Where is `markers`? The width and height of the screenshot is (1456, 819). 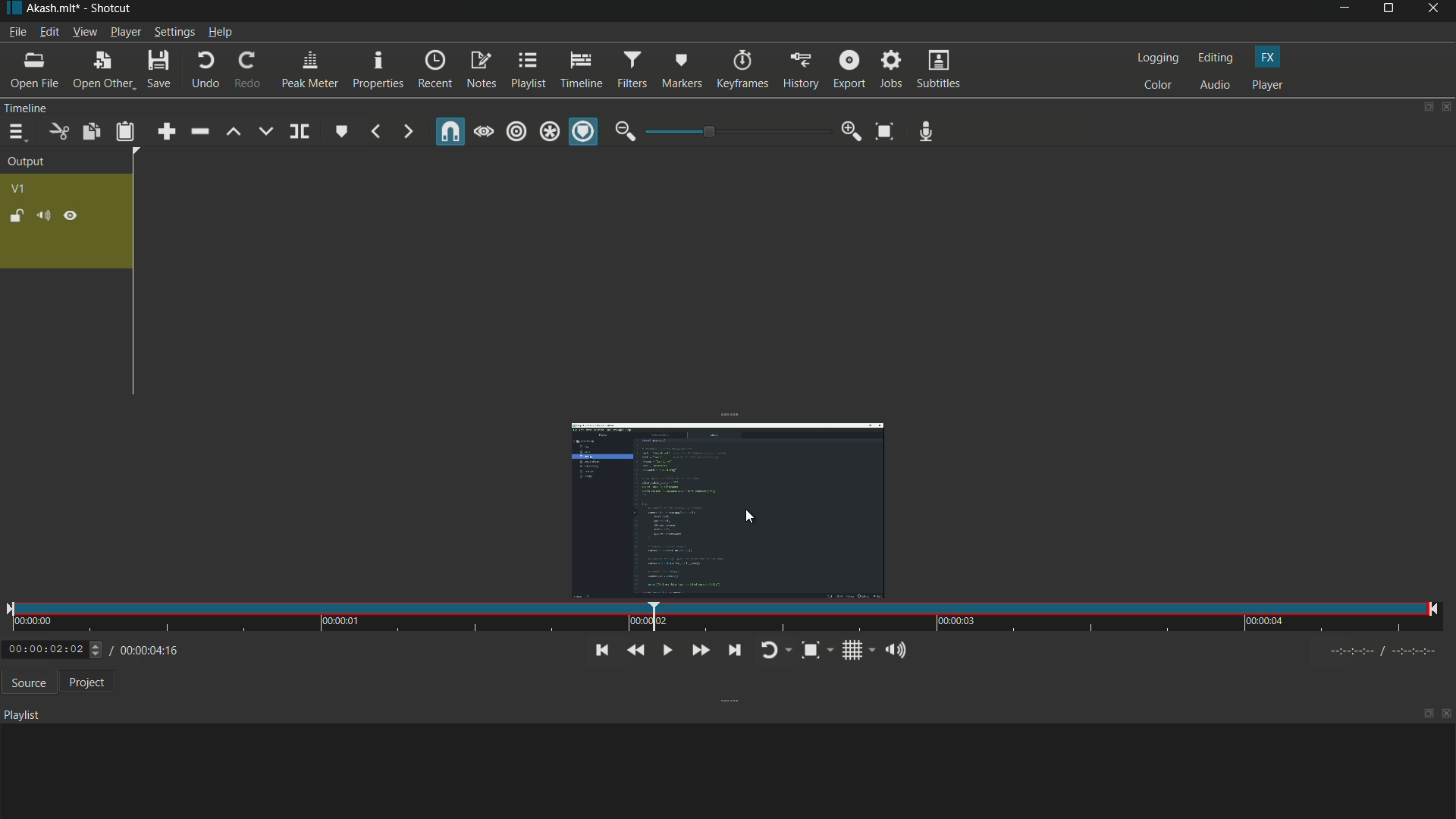
markers is located at coordinates (681, 71).